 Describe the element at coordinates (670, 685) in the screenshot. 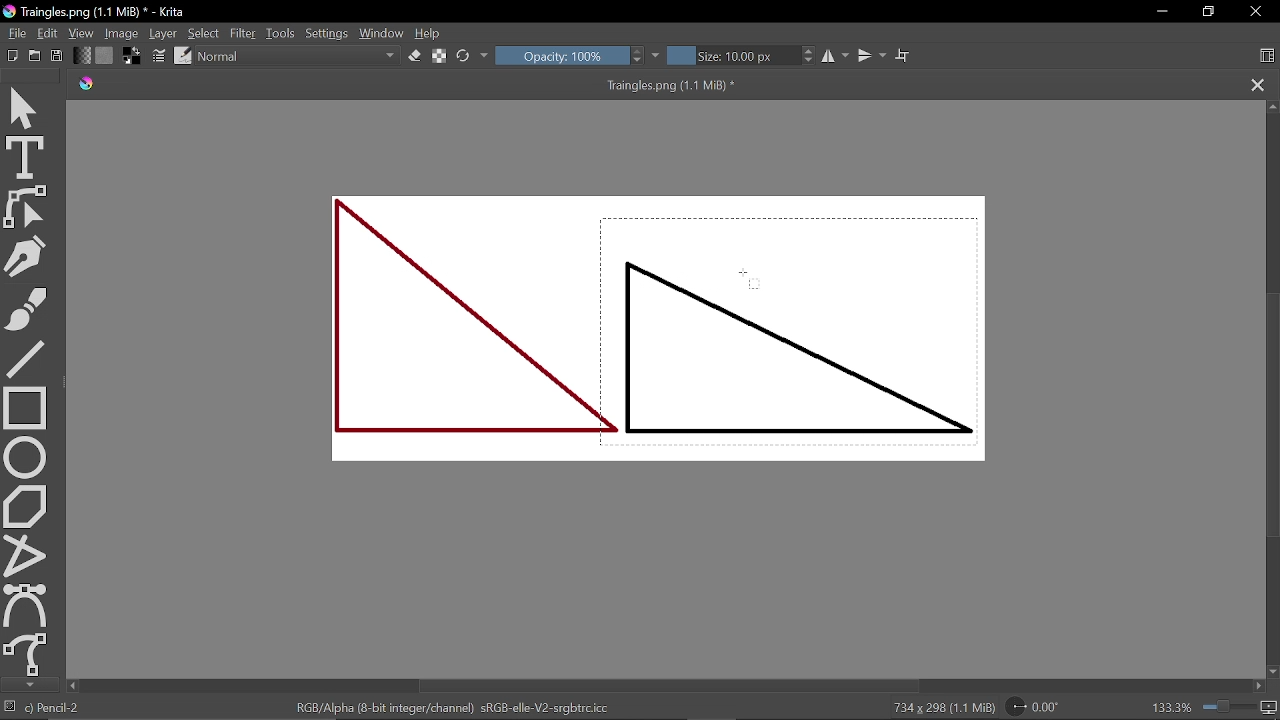

I see `Horizontal scrollbar` at that location.